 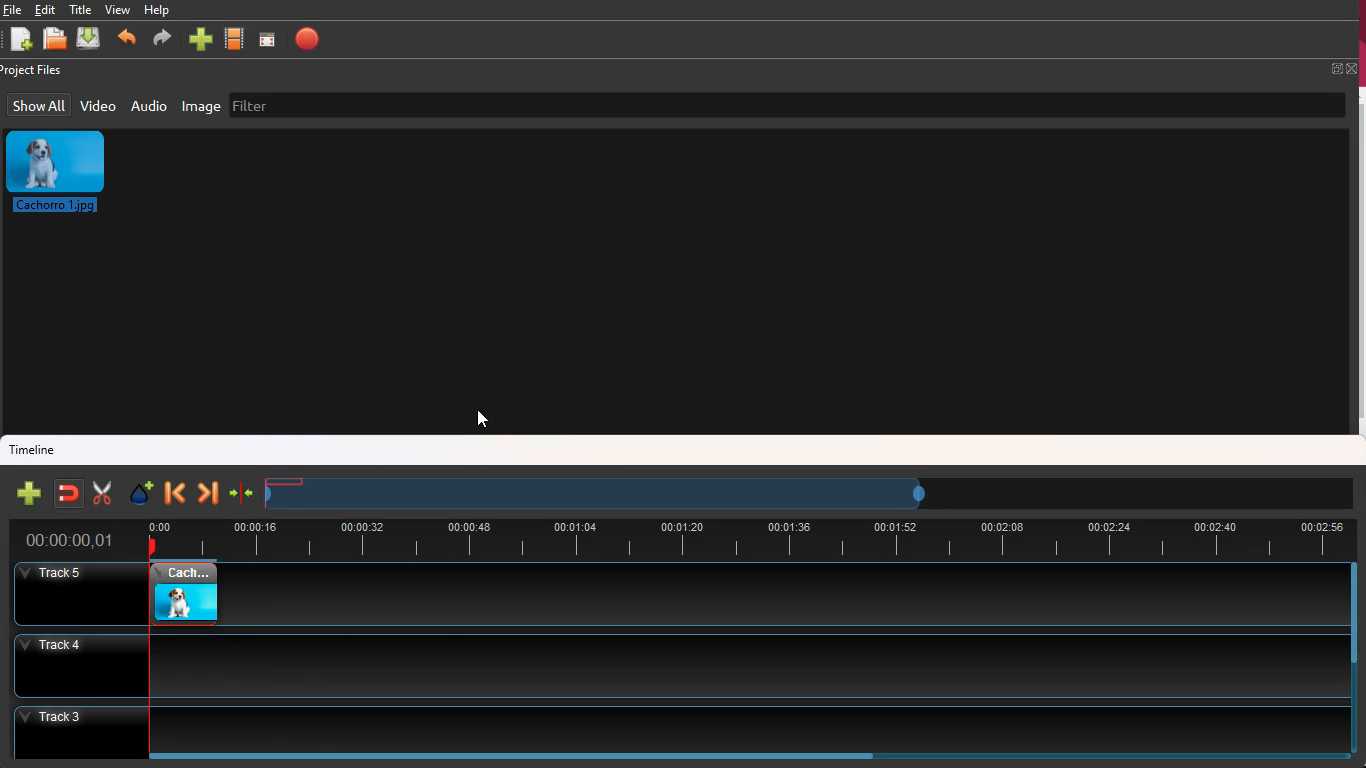 I want to click on timeline, so click(x=747, y=537).